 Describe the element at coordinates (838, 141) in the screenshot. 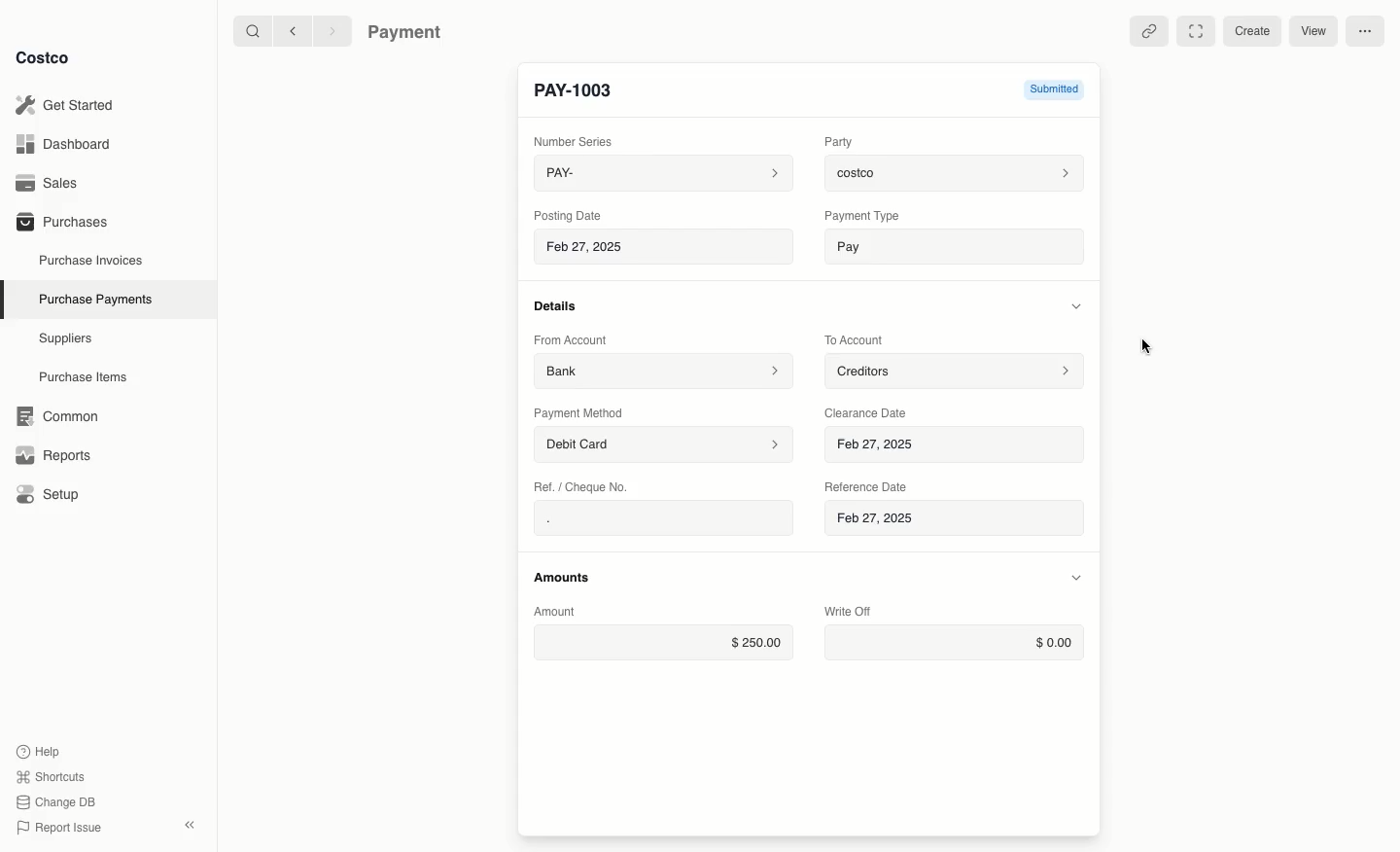

I see `Party` at that location.